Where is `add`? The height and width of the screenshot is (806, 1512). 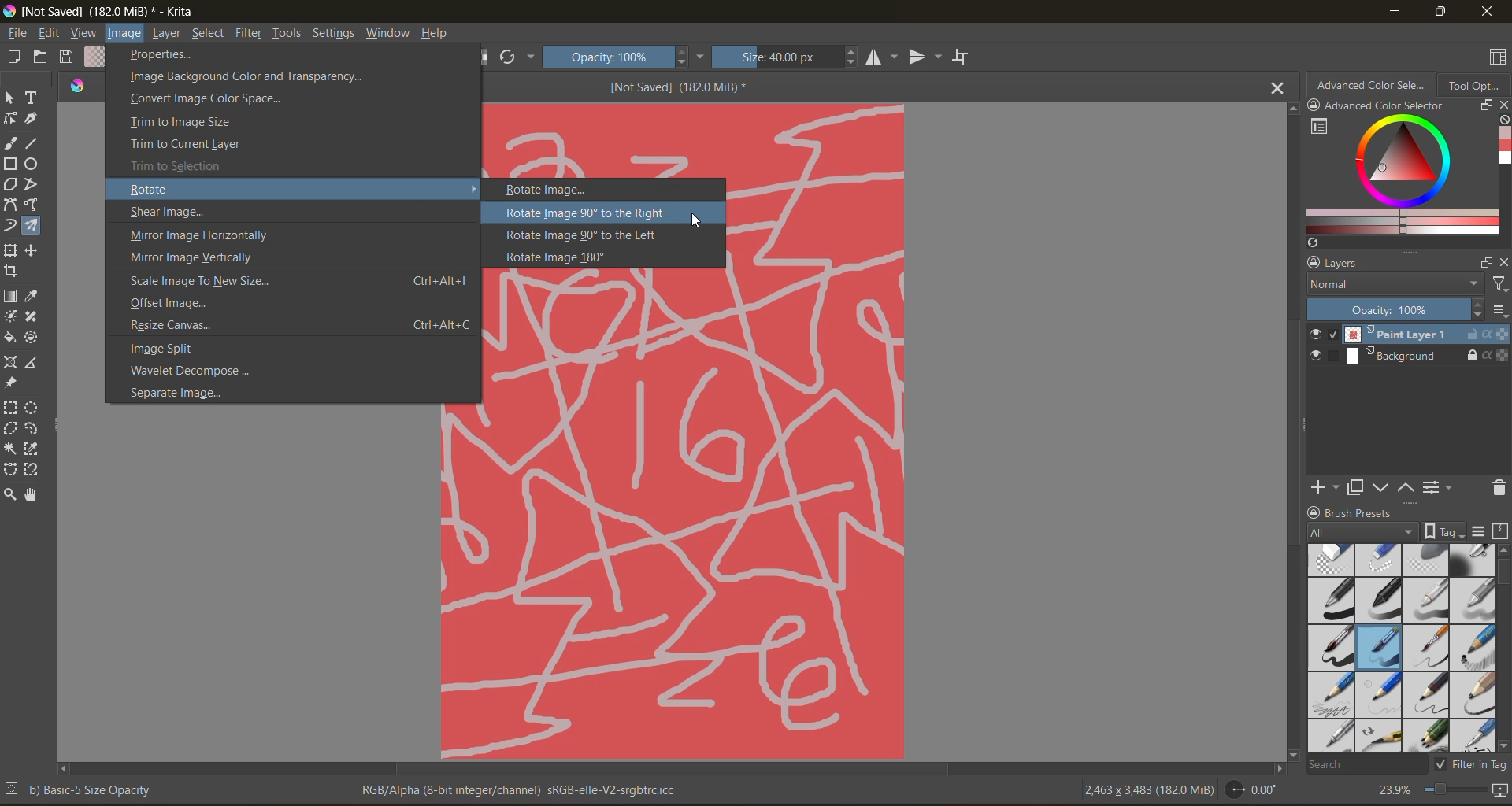
add is located at coordinates (1322, 486).